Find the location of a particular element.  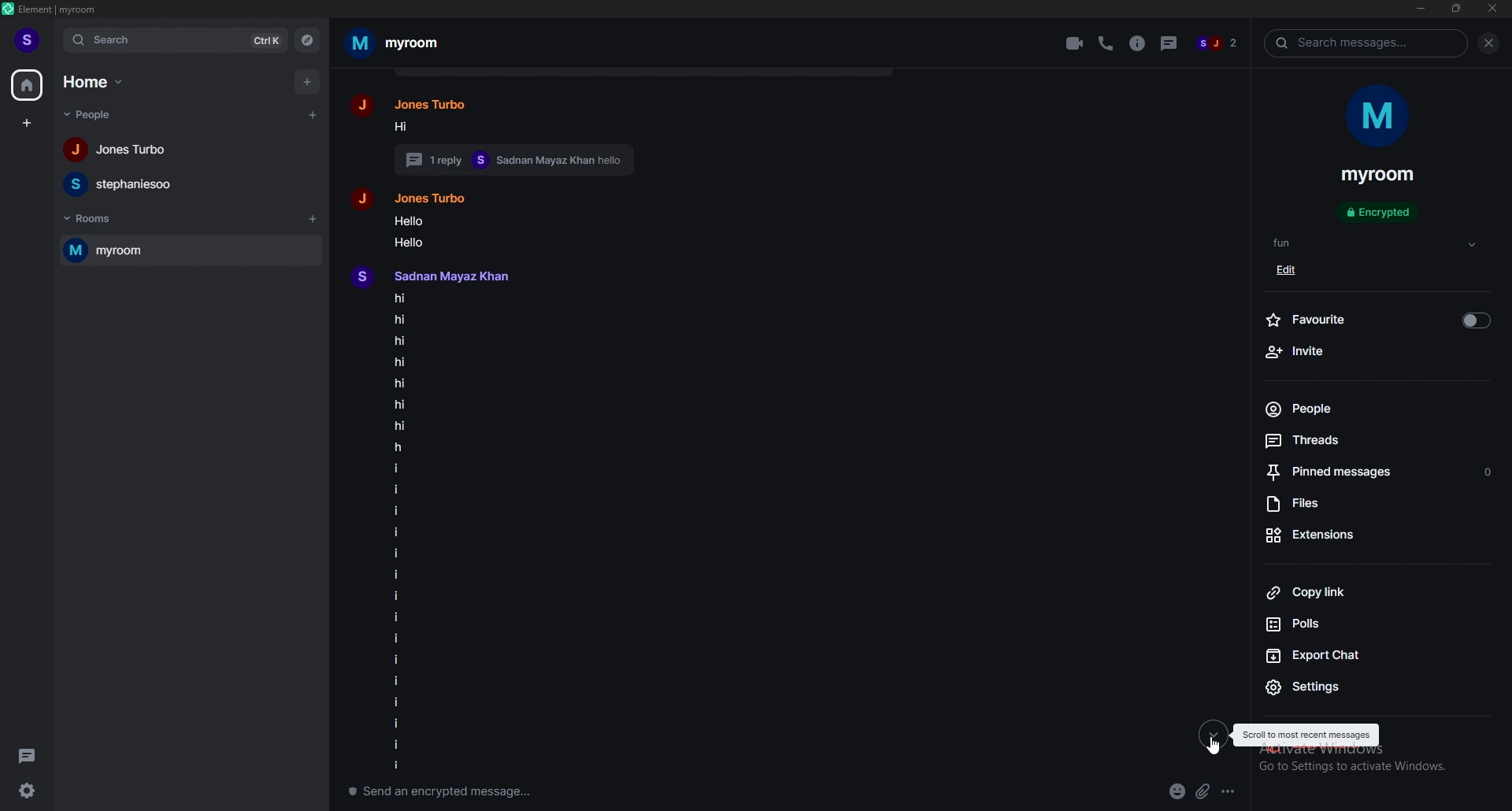

options is located at coordinates (1229, 790).